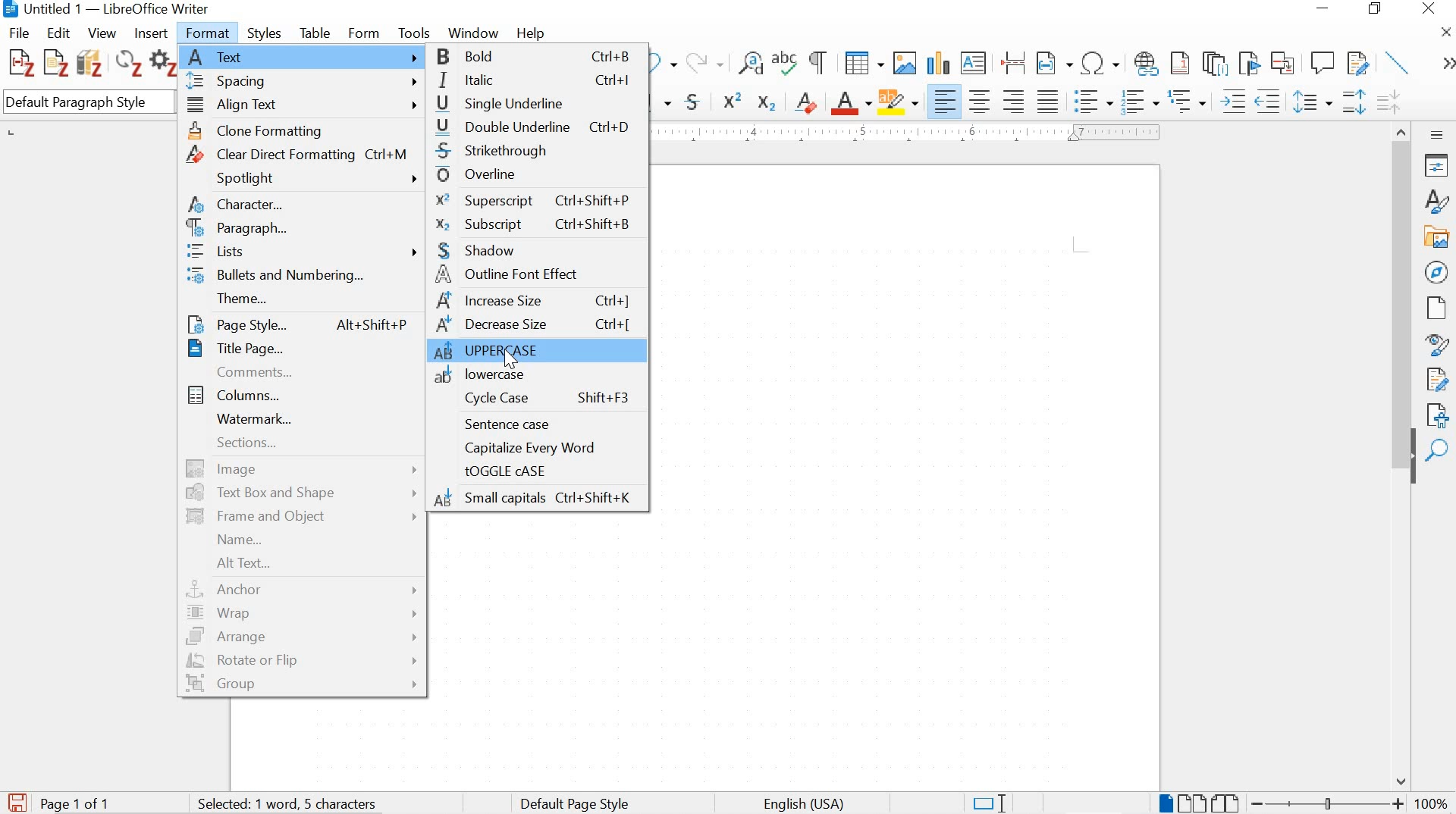 The width and height of the screenshot is (1456, 814). What do you see at coordinates (163, 65) in the screenshot?
I see `set document preferences` at bounding box center [163, 65].